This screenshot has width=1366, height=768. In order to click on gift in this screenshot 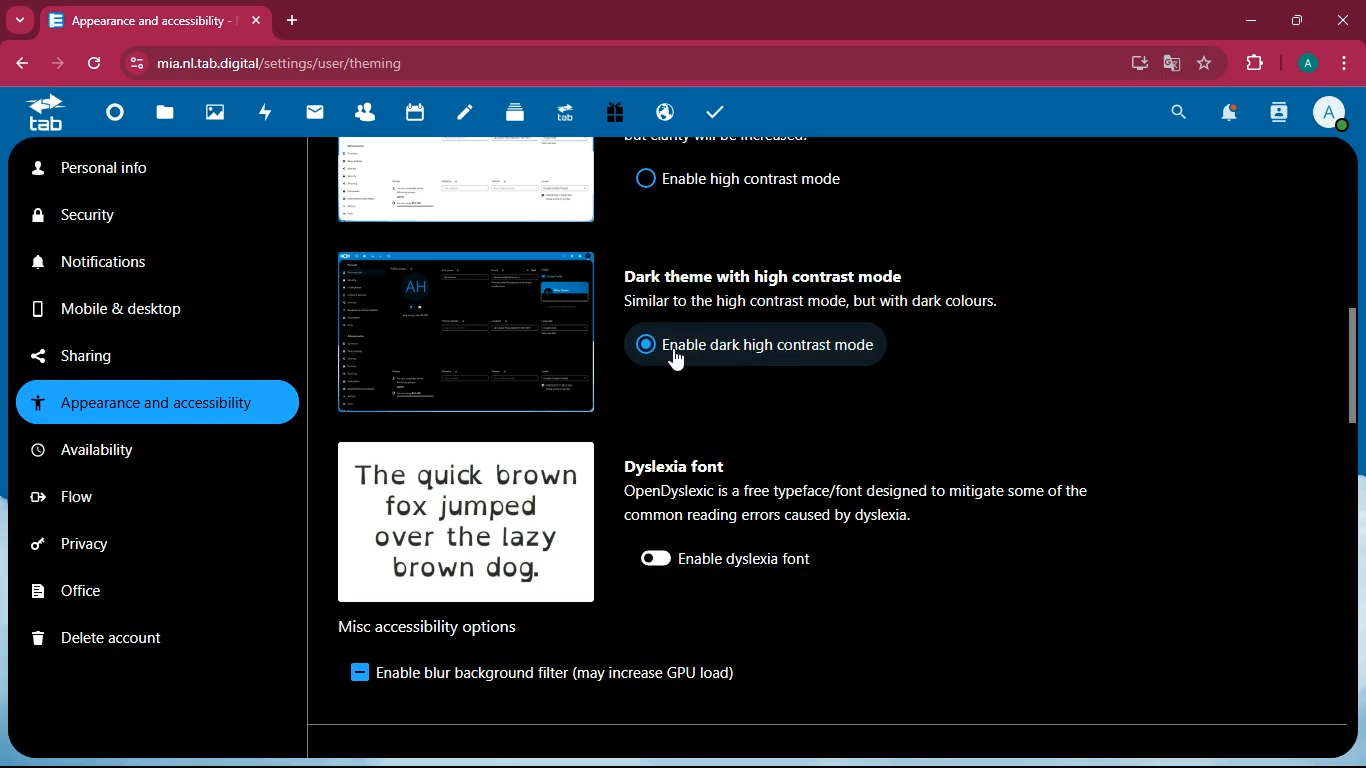, I will do `click(623, 113)`.